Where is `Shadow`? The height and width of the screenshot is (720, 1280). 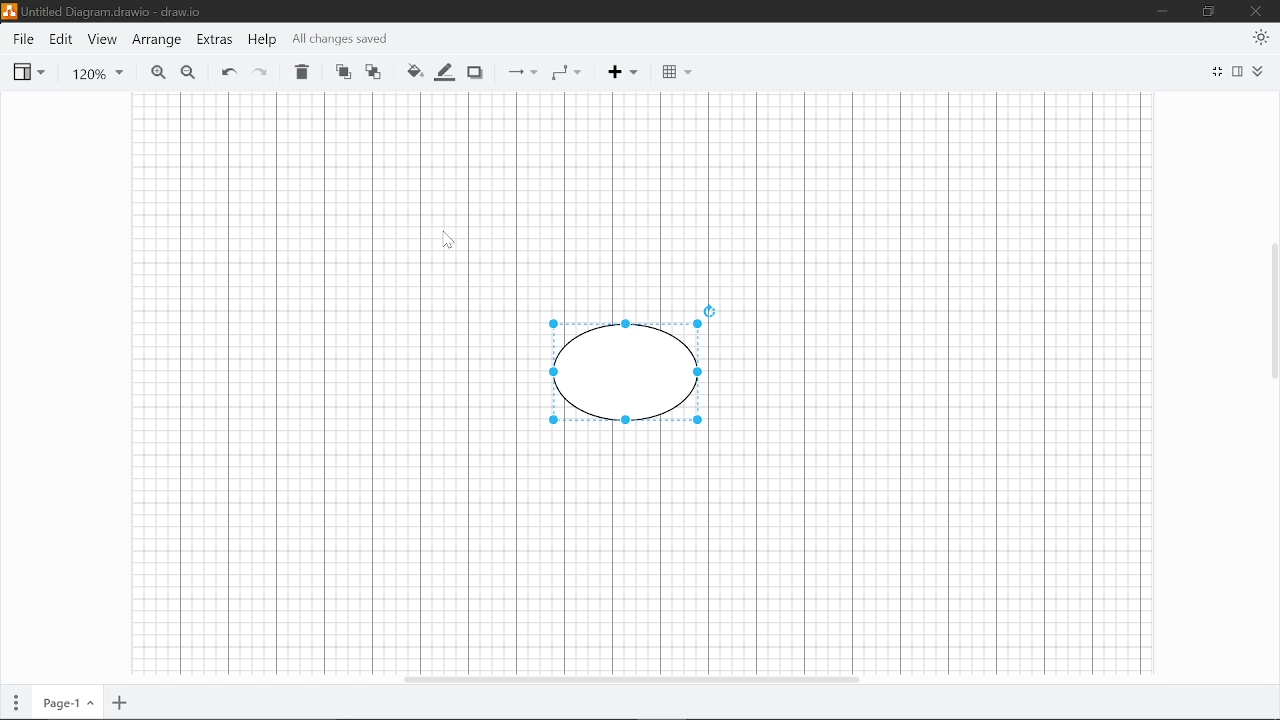
Shadow is located at coordinates (473, 73).